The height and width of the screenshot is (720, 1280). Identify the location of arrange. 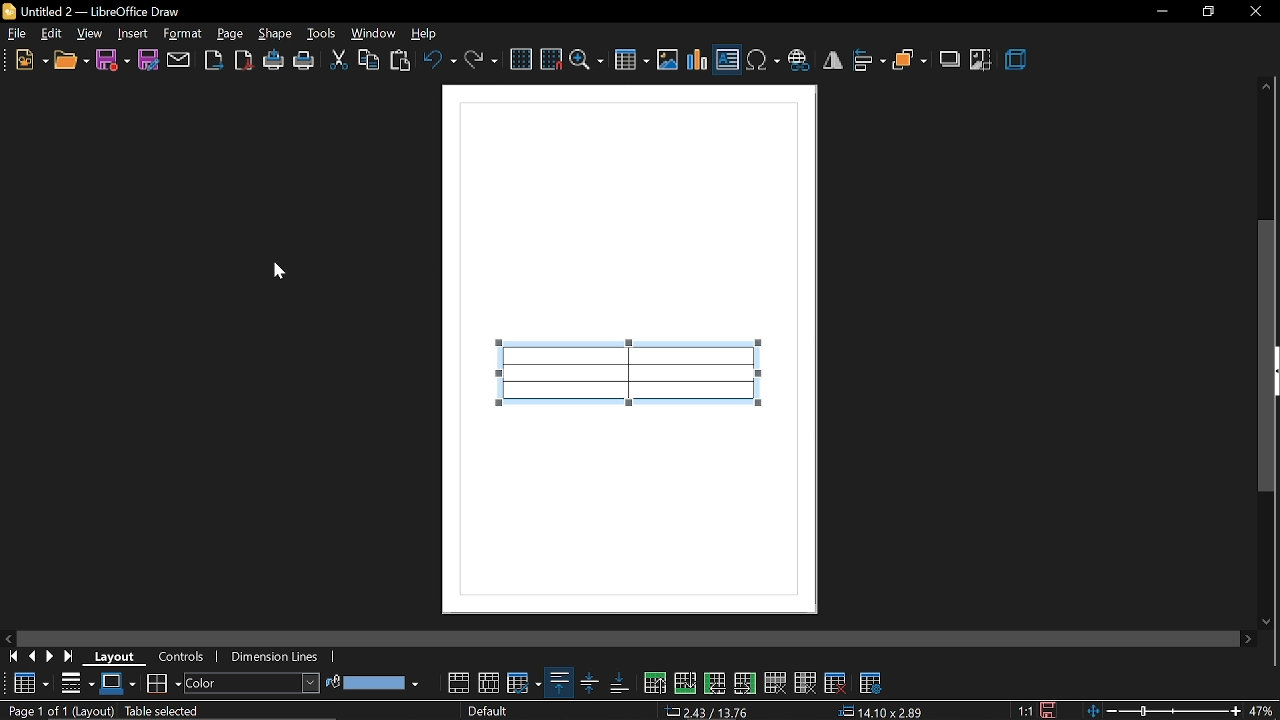
(910, 61).